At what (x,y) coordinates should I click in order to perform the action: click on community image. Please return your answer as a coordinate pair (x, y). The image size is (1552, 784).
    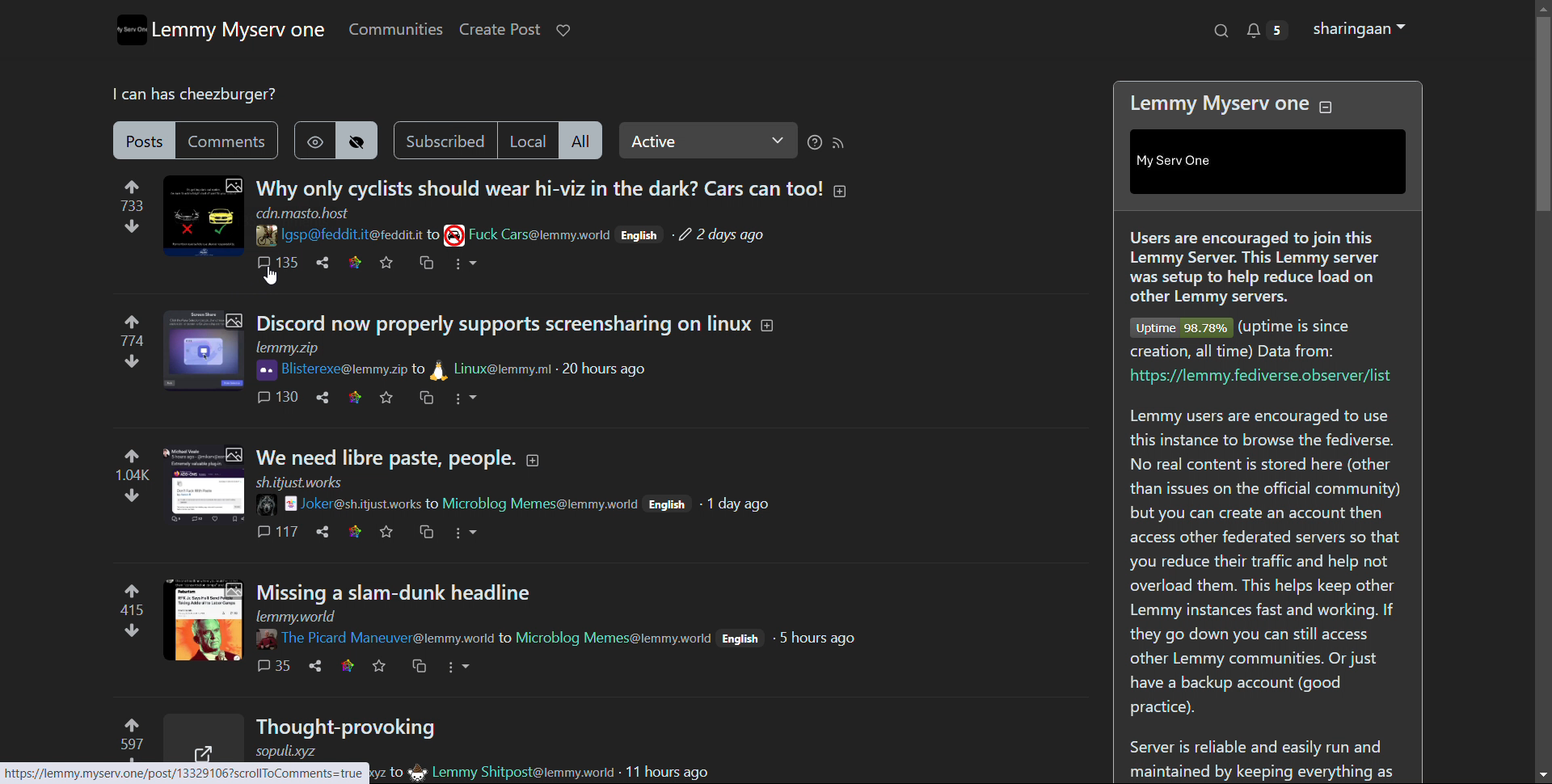
    Looking at the image, I should click on (454, 234).